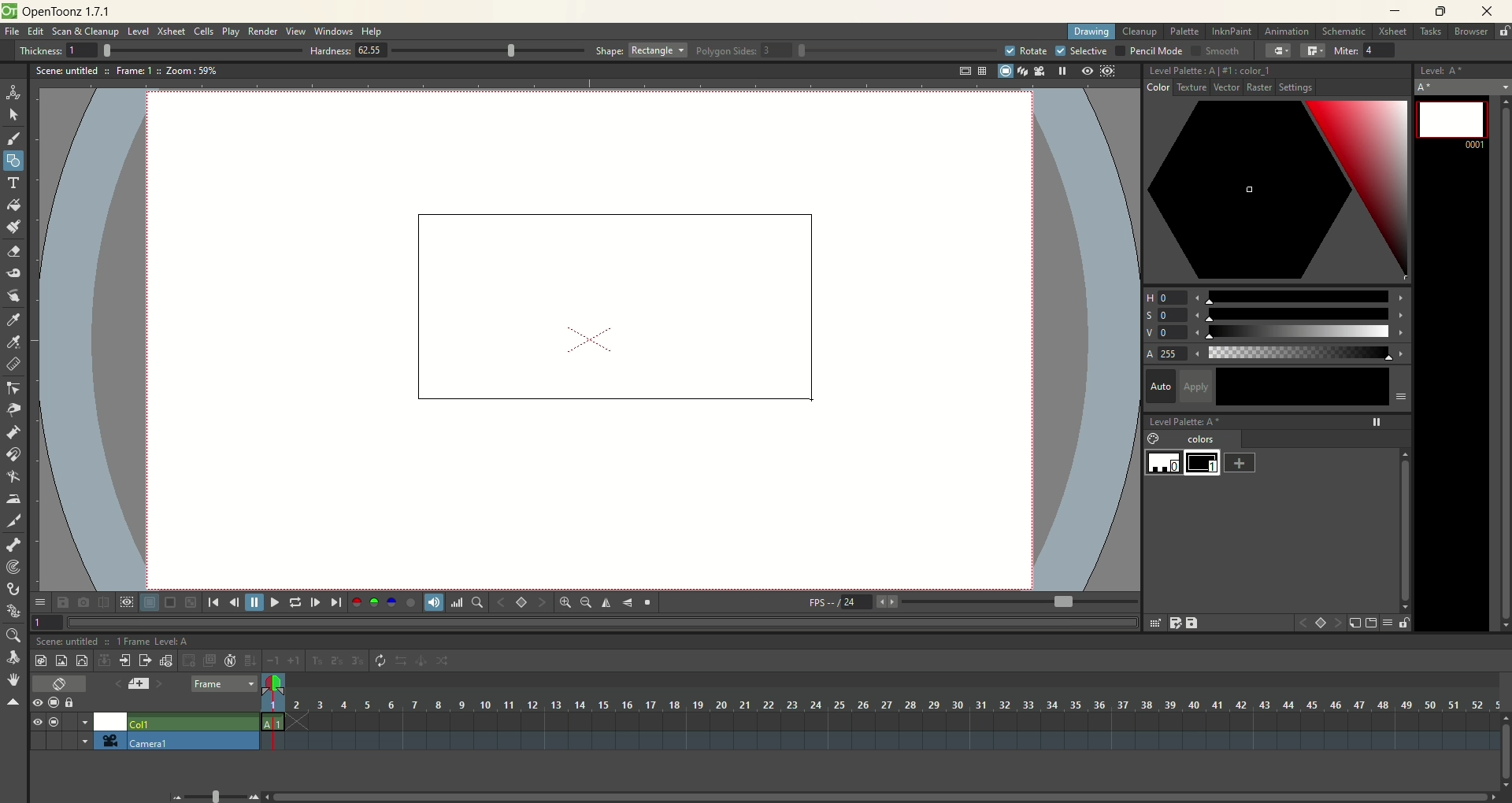 The width and height of the screenshot is (1512, 803). I want to click on hook, so click(15, 590).